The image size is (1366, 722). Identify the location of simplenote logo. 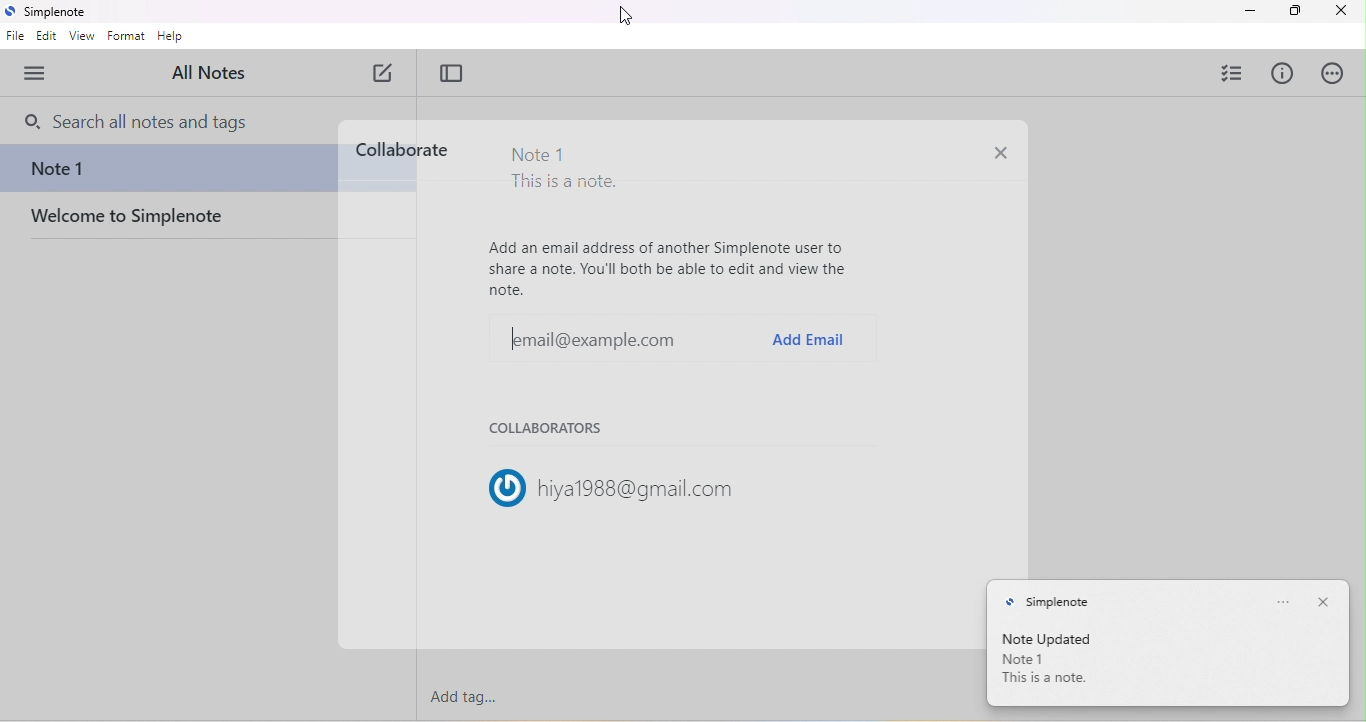
(10, 13).